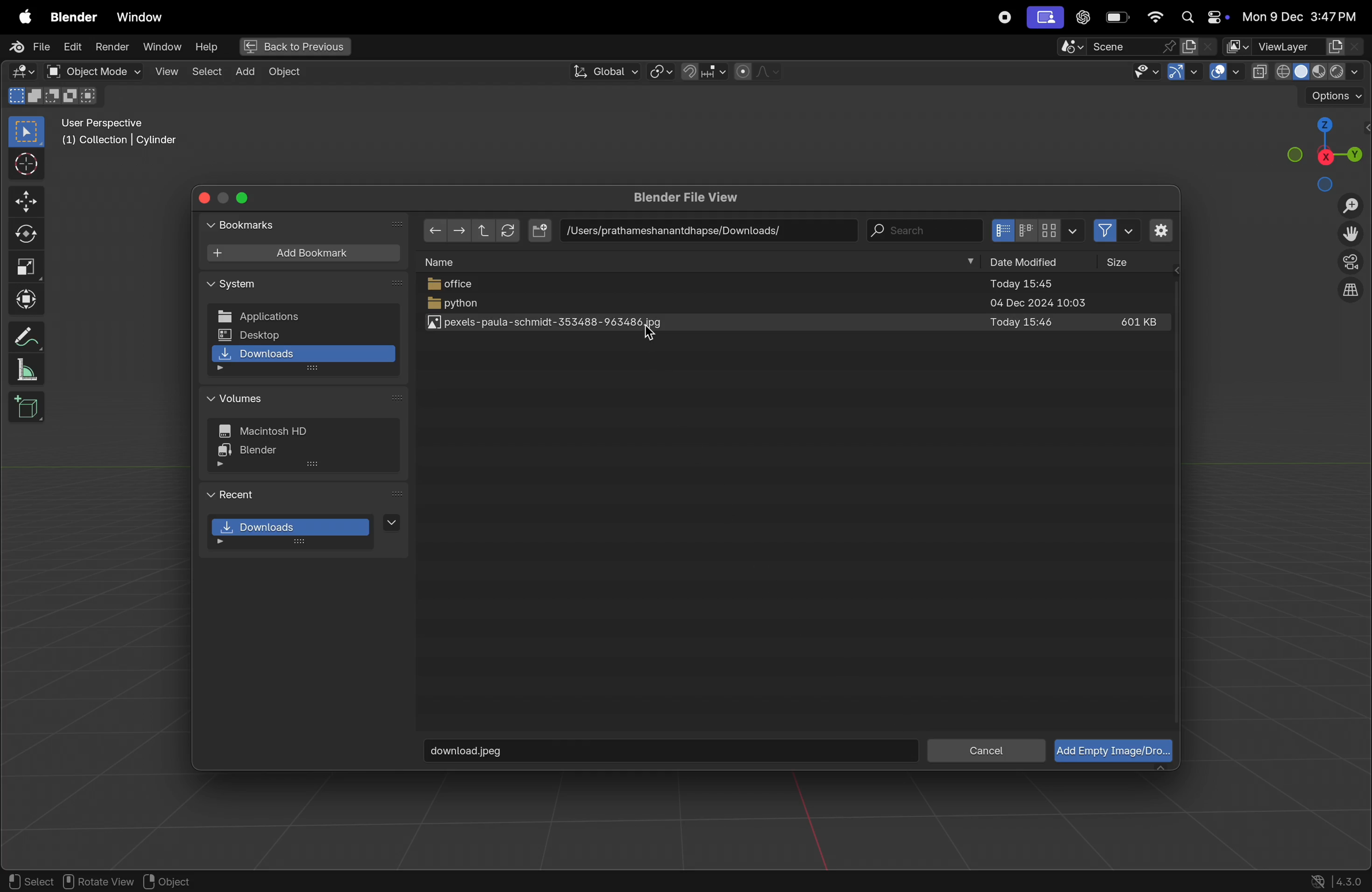  I want to click on rotate, so click(24, 232).